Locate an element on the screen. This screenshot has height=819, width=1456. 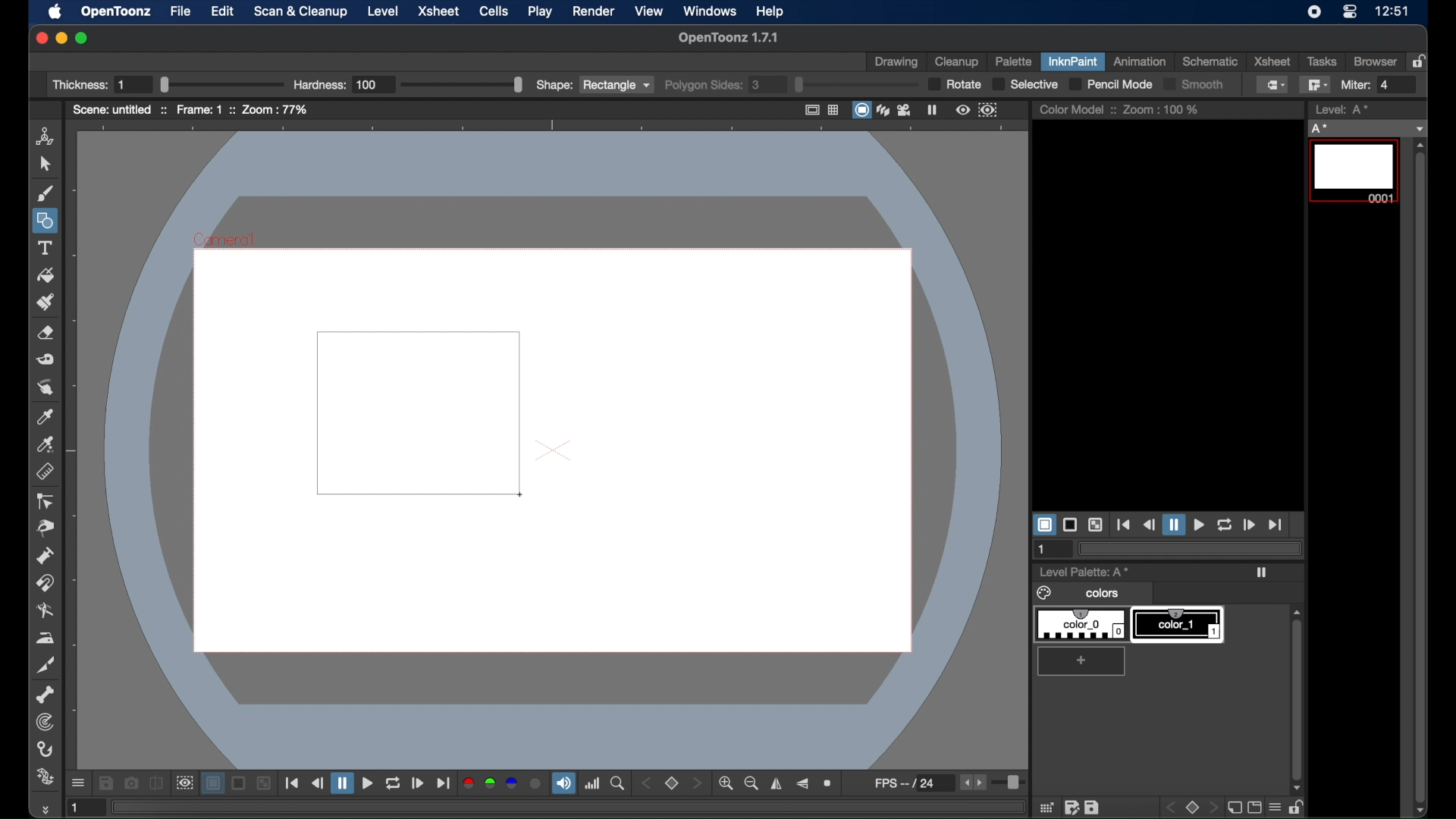
no current level  is located at coordinates (1366, 129).